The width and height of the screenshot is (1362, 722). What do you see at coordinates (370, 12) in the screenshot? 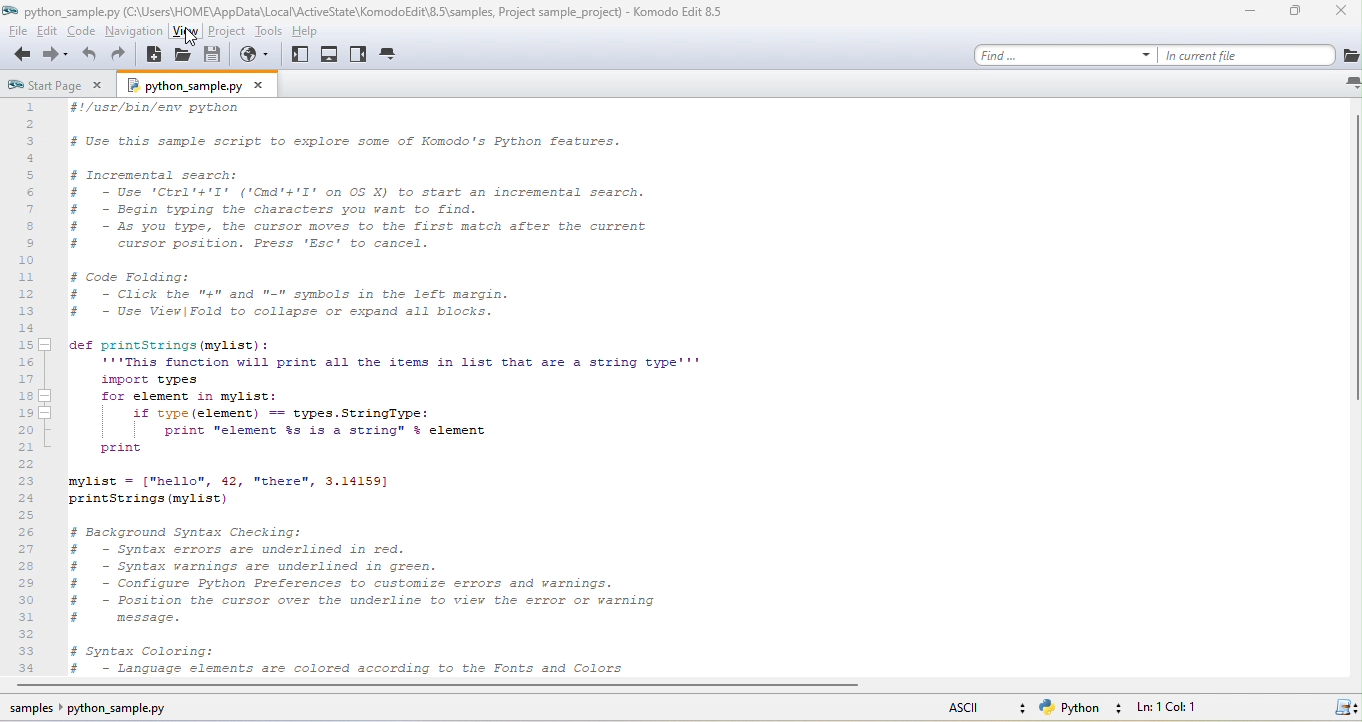
I see `title` at bounding box center [370, 12].